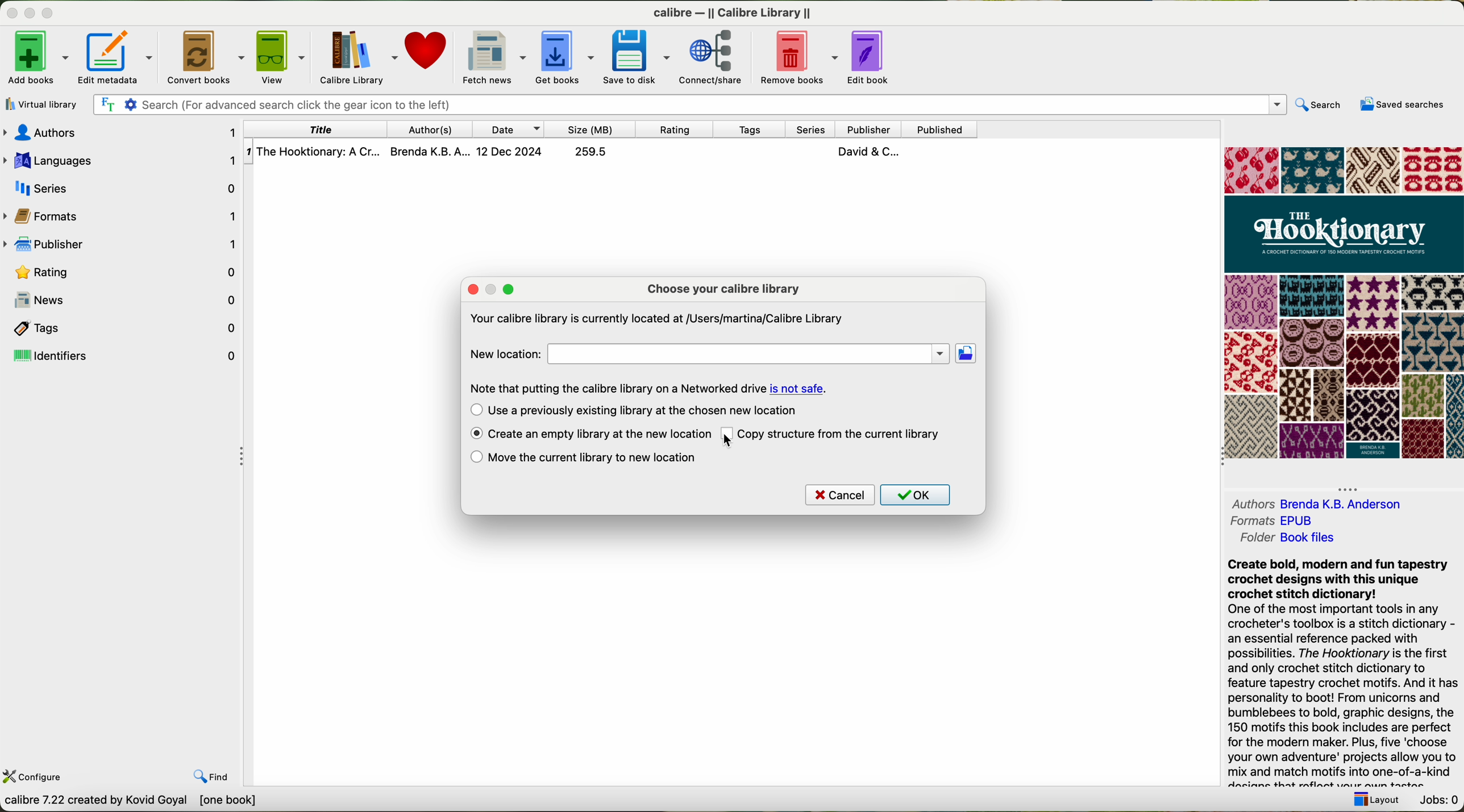  What do you see at coordinates (36, 776) in the screenshot?
I see `configure` at bounding box center [36, 776].